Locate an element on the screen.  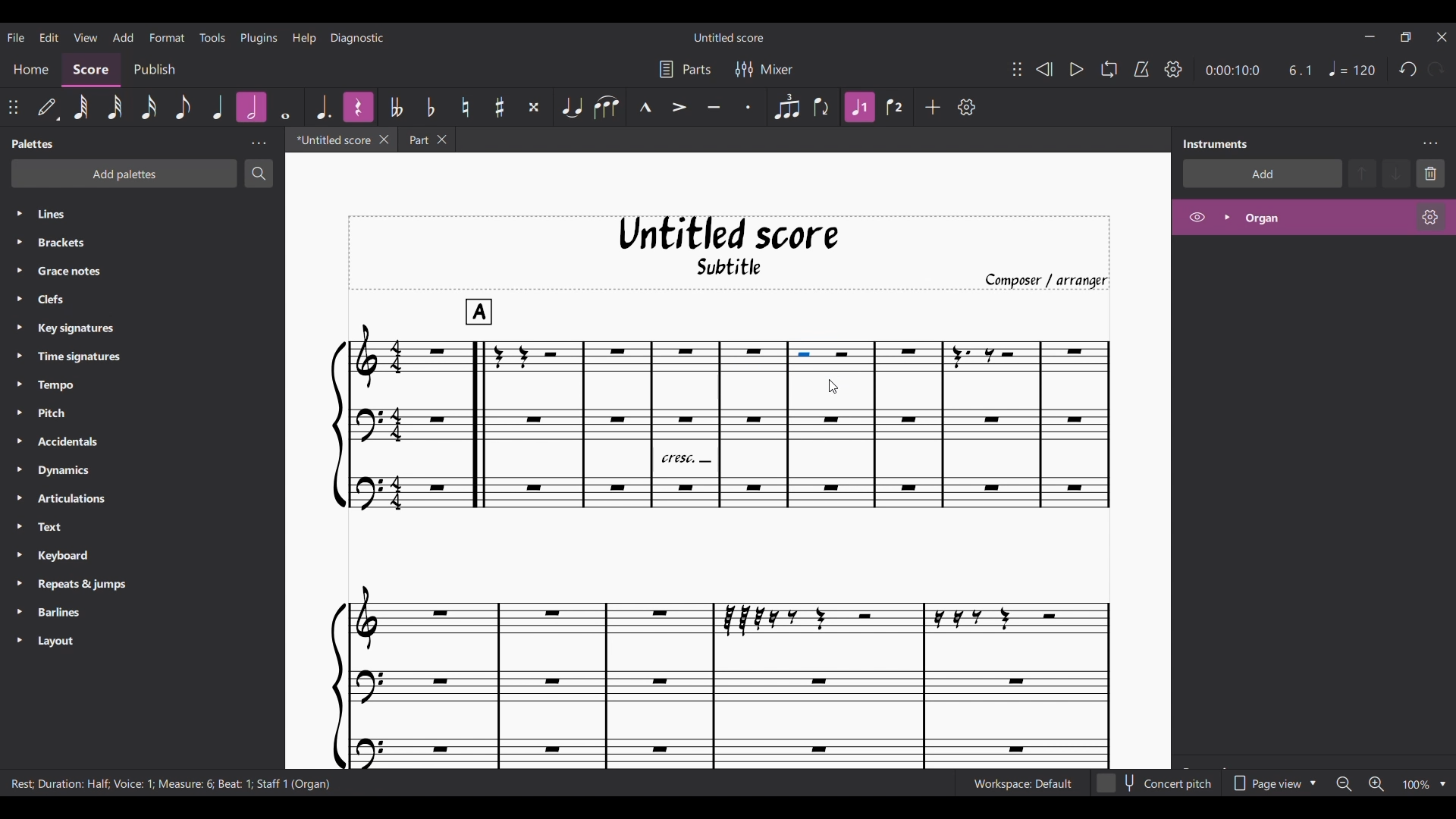
Whole note is located at coordinates (284, 107).